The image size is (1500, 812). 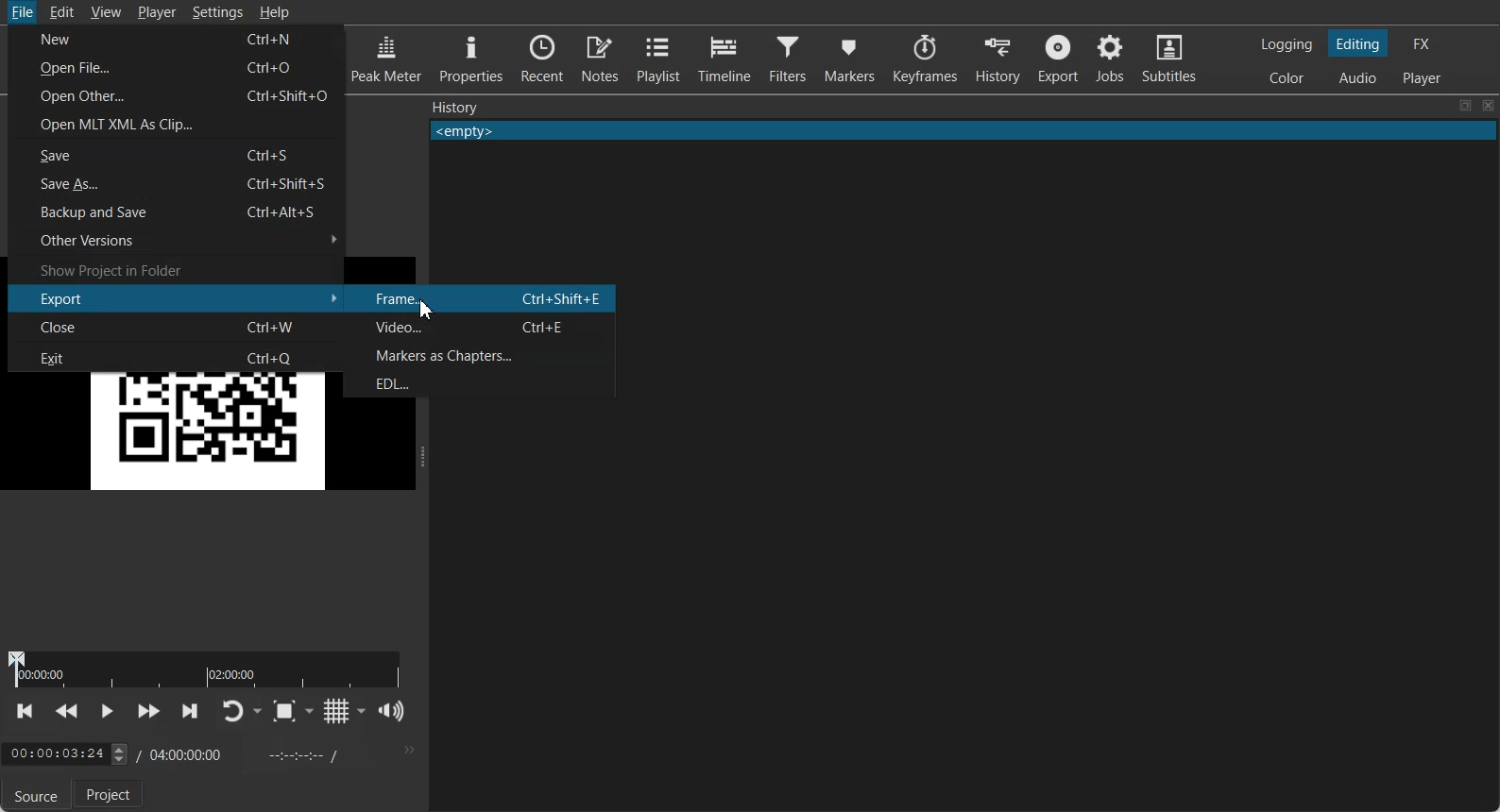 What do you see at coordinates (386, 57) in the screenshot?
I see `Peak Meter` at bounding box center [386, 57].